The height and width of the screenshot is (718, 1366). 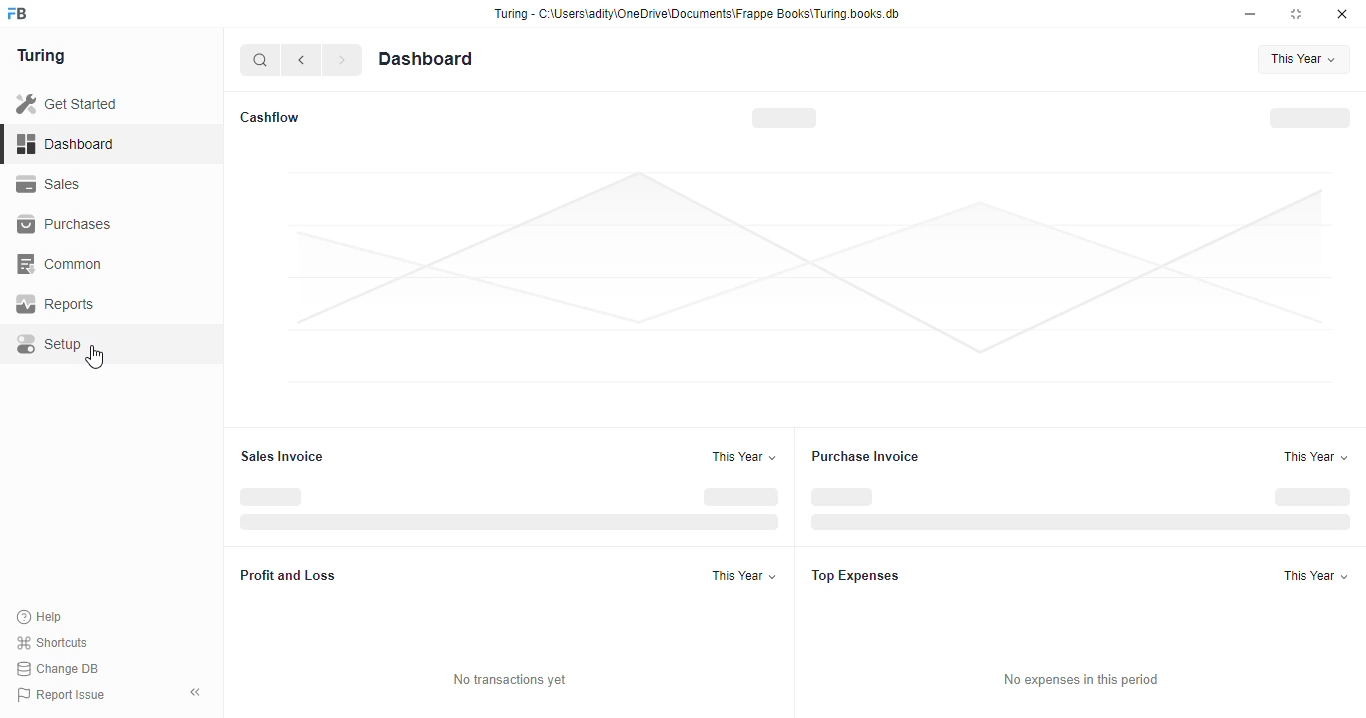 I want to click on This Year, so click(x=1303, y=59).